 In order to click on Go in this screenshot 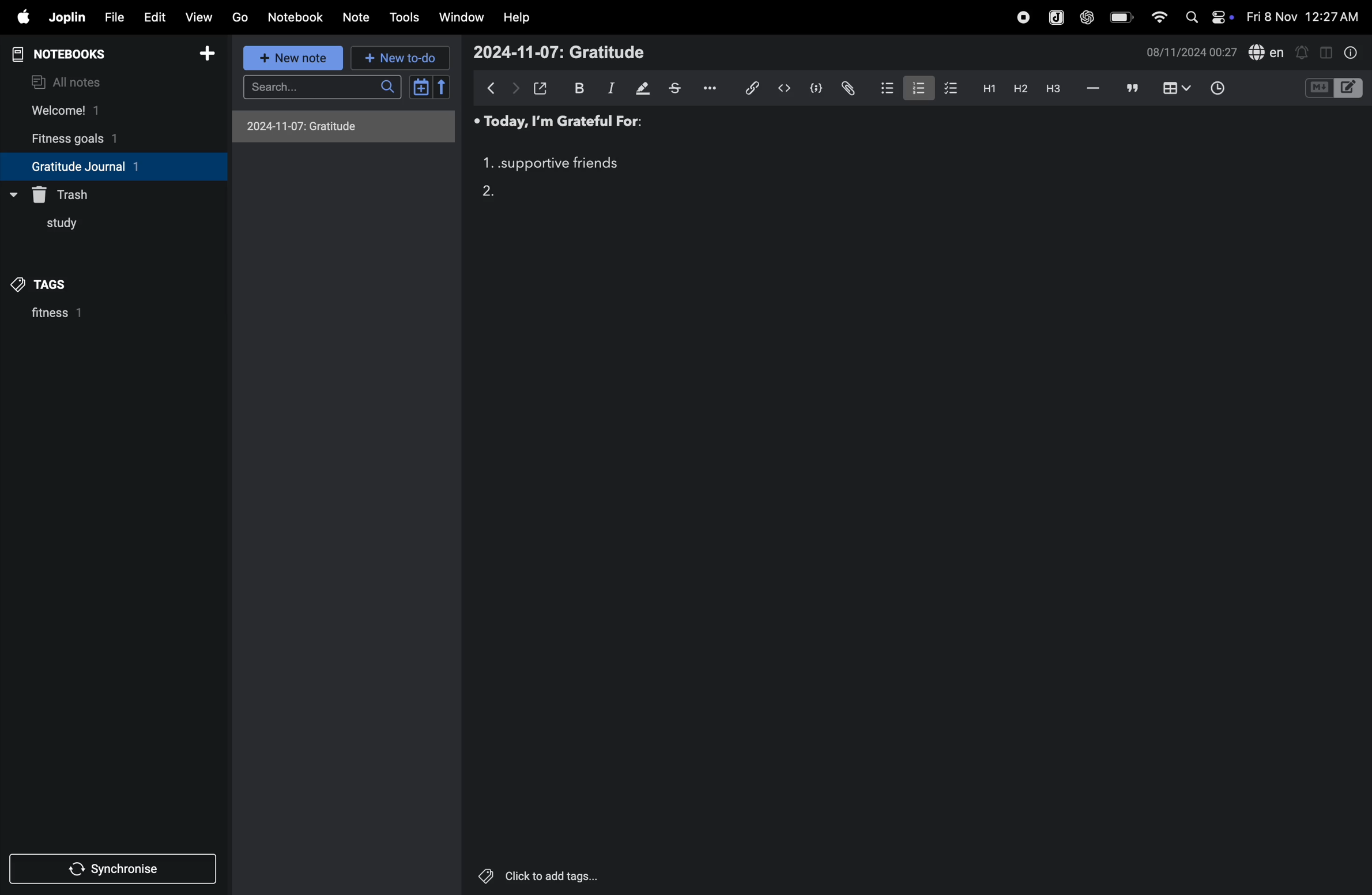, I will do `click(240, 16)`.